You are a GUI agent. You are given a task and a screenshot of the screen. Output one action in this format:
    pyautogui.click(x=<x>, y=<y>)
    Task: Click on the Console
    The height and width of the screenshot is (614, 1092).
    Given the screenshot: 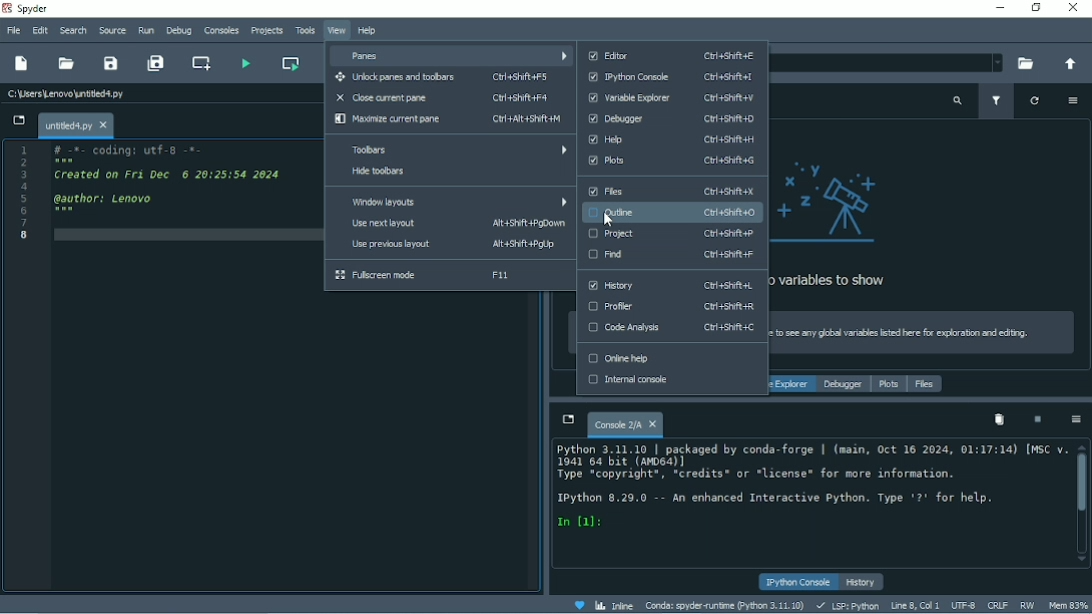 What is the action you would take?
    pyautogui.click(x=814, y=486)
    